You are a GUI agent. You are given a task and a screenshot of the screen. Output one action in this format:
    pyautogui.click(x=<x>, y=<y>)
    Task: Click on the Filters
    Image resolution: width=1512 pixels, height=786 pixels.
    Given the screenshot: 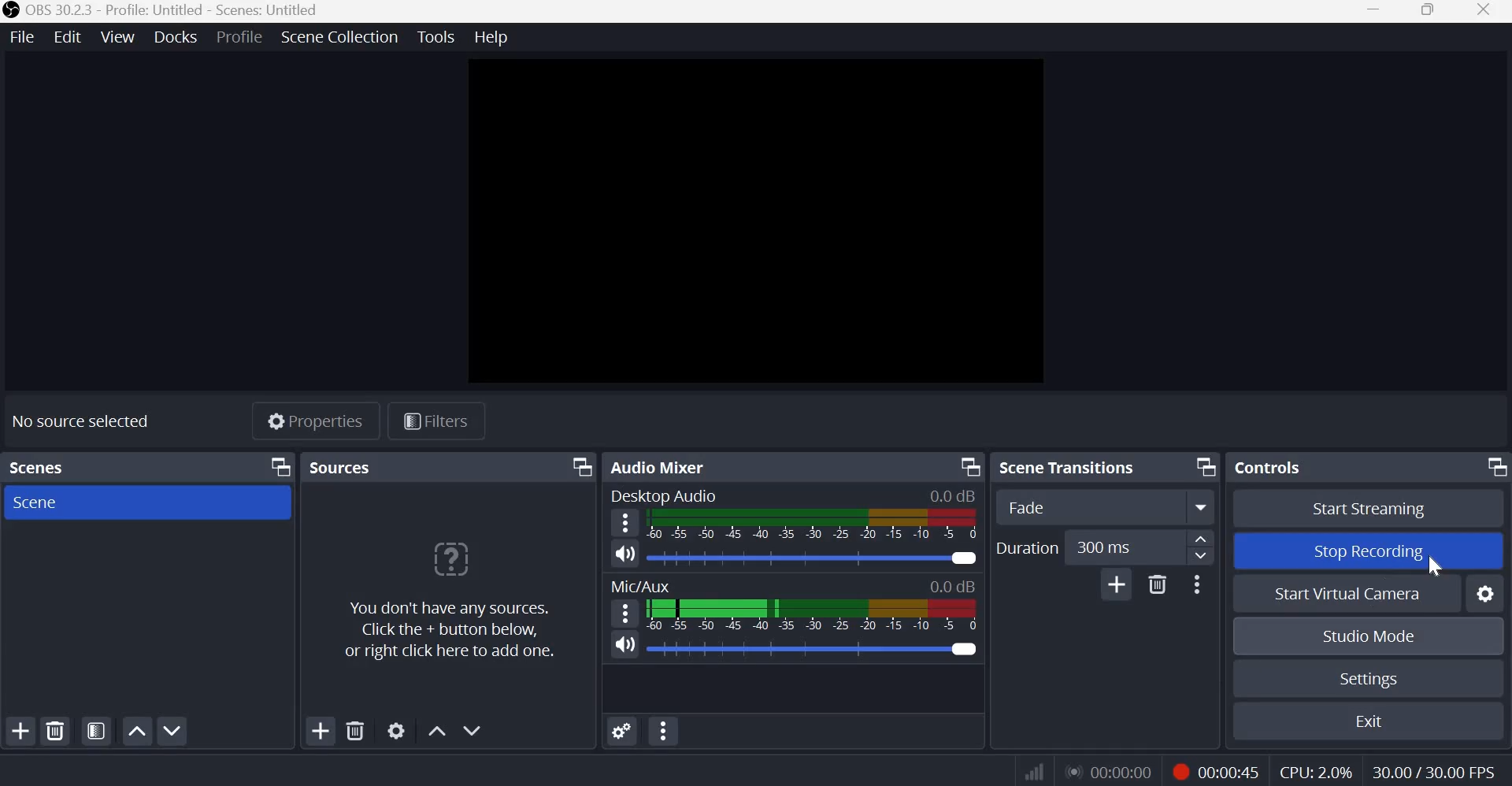 What is the action you would take?
    pyautogui.click(x=433, y=420)
    